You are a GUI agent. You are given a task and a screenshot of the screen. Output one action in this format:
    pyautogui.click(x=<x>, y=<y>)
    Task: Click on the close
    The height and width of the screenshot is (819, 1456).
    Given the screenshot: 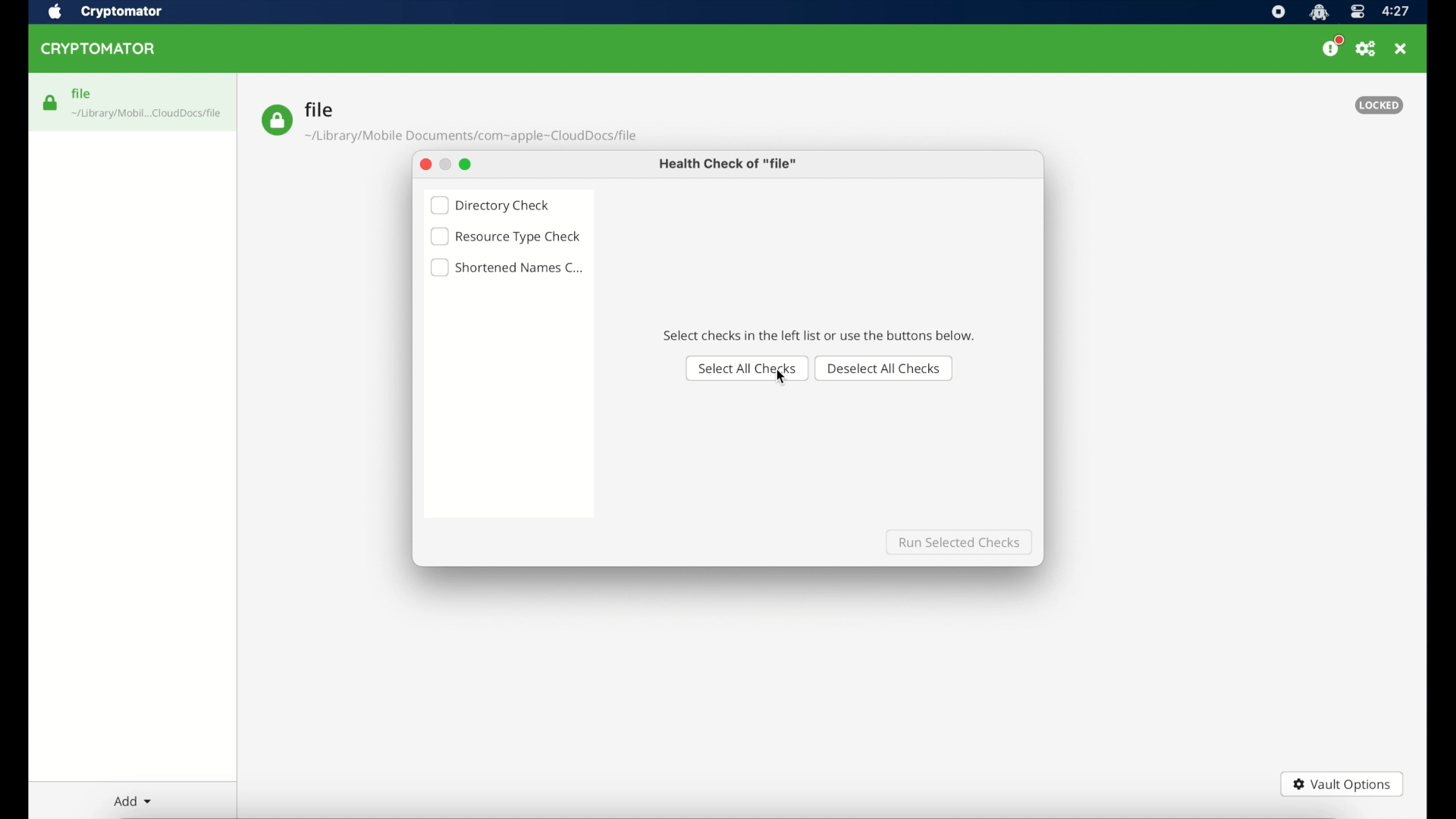 What is the action you would take?
    pyautogui.click(x=422, y=165)
    